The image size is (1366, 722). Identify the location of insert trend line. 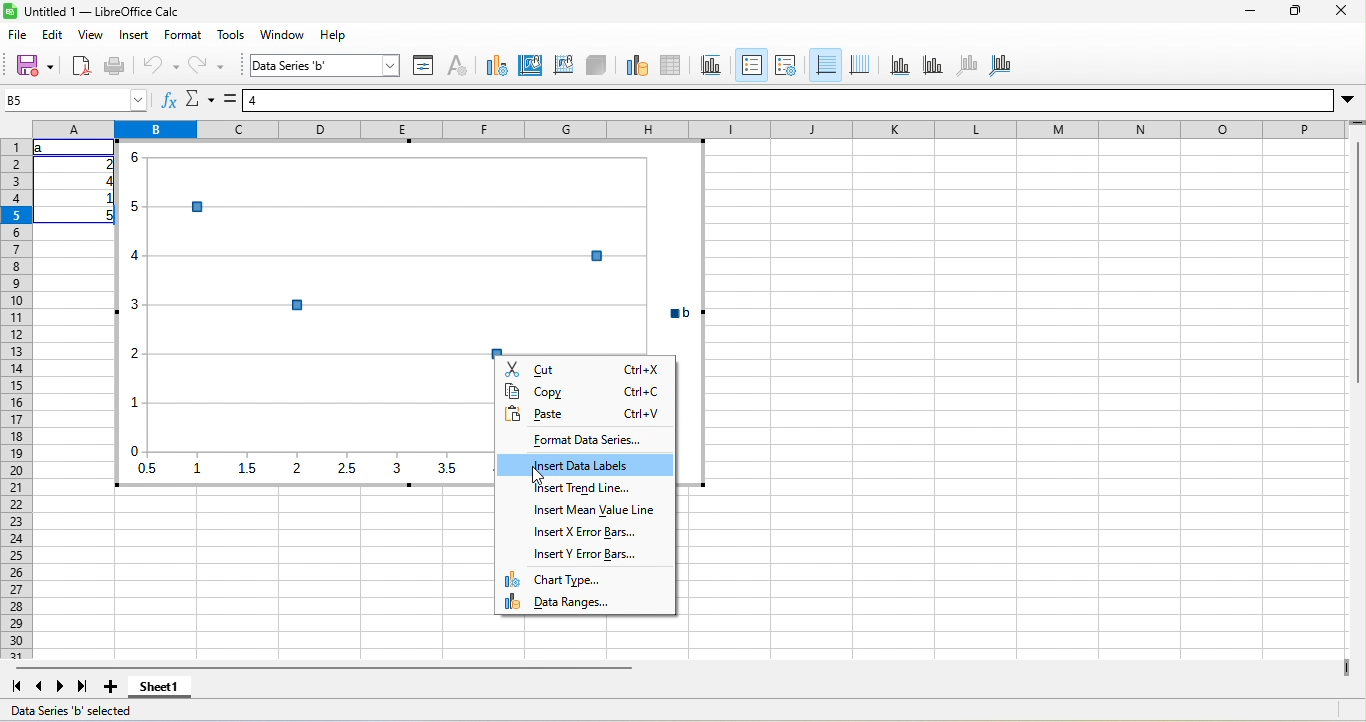
(584, 488).